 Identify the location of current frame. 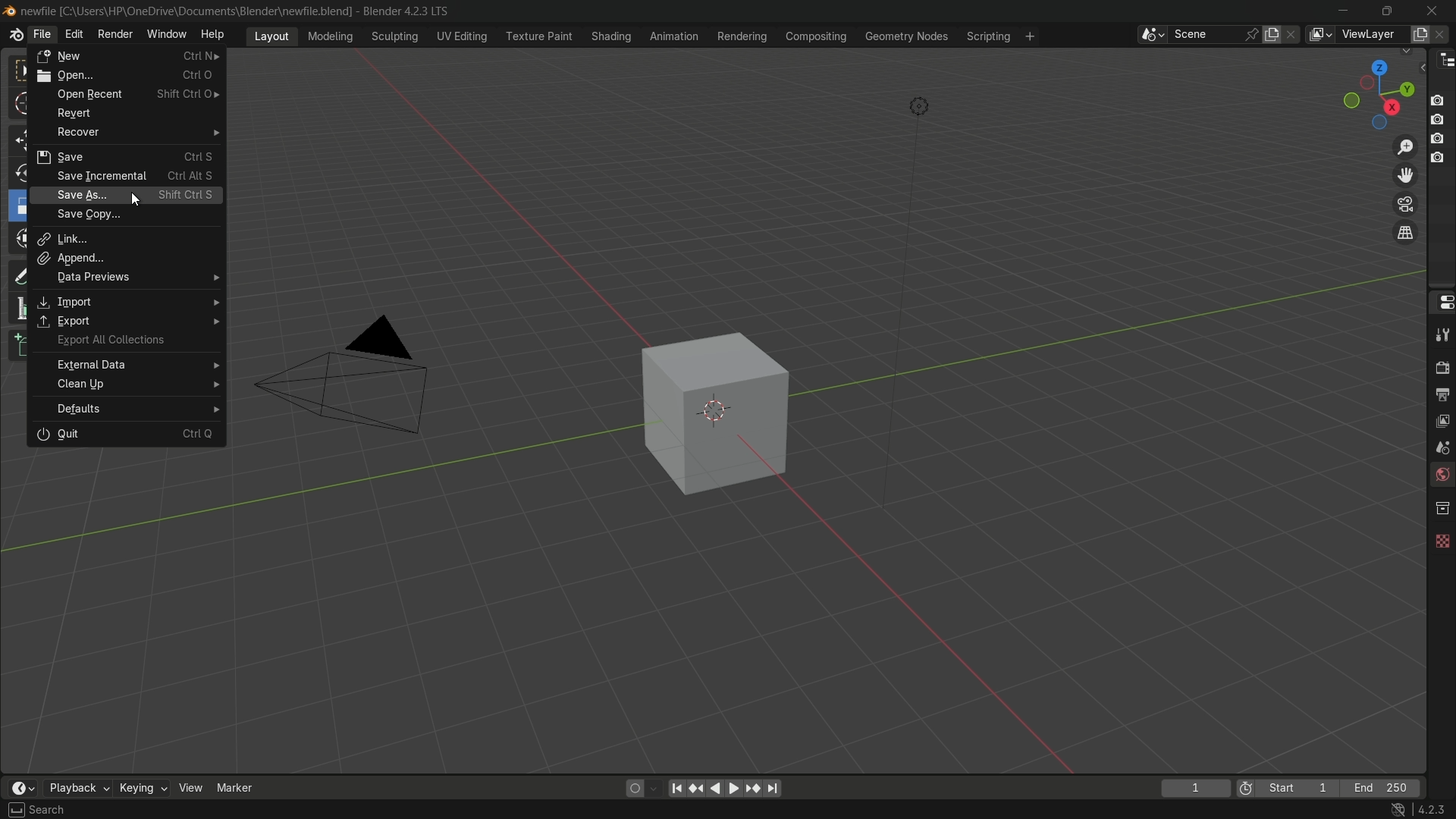
(1194, 788).